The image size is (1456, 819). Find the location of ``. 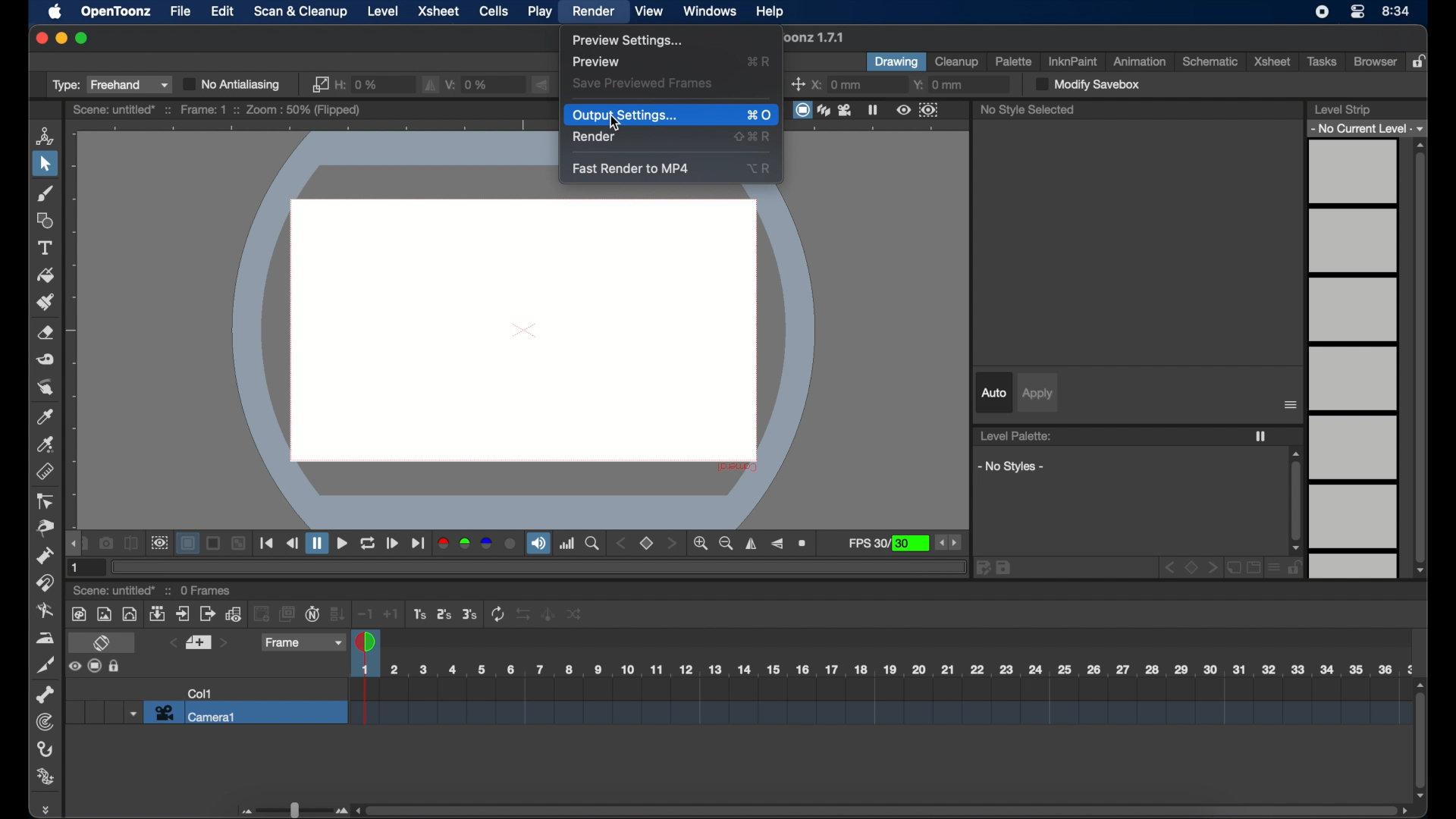

 is located at coordinates (75, 666).